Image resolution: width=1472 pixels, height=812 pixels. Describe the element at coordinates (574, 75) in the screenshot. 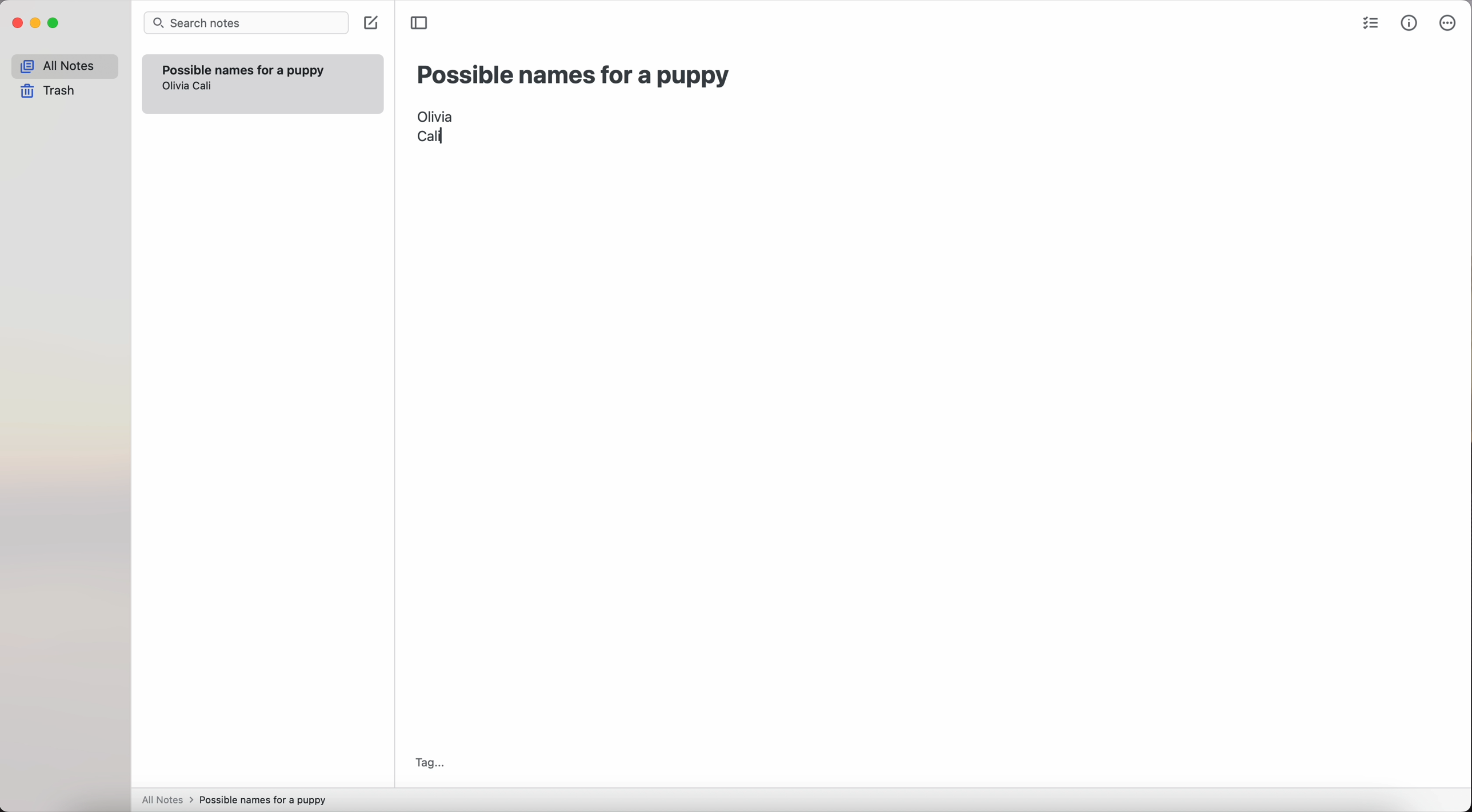

I see `possible names for a puppy` at that location.